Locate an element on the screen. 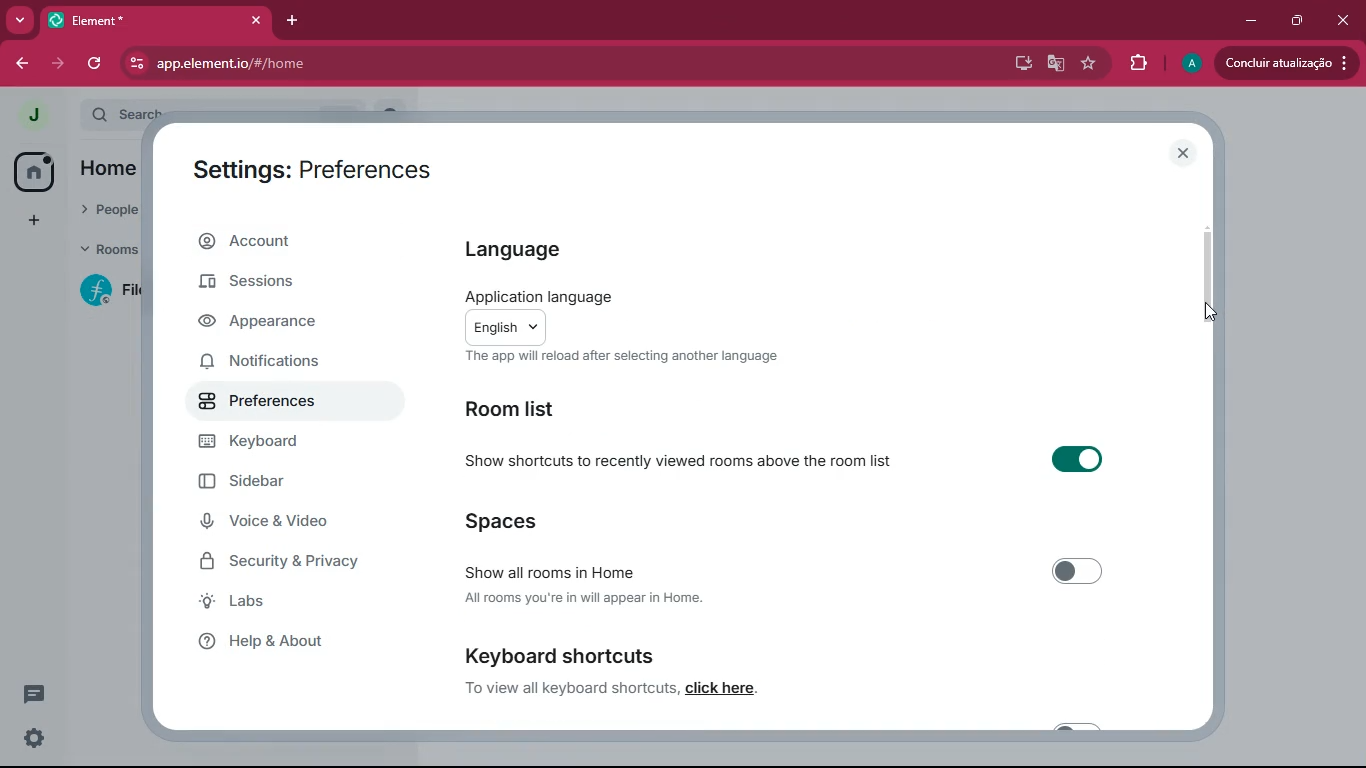  cursor is located at coordinates (1209, 317).